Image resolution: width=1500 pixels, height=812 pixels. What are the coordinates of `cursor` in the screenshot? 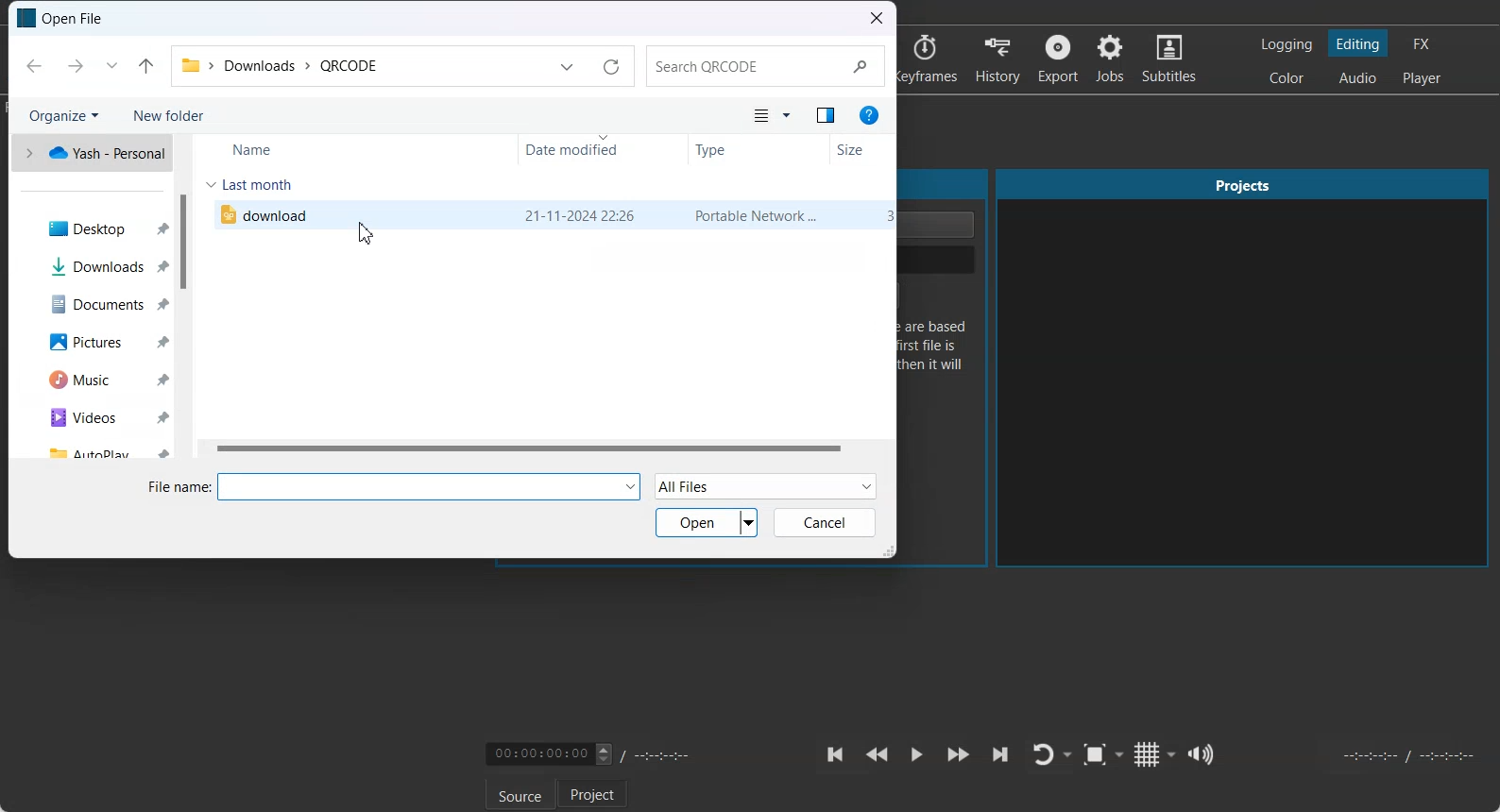 It's located at (362, 232).